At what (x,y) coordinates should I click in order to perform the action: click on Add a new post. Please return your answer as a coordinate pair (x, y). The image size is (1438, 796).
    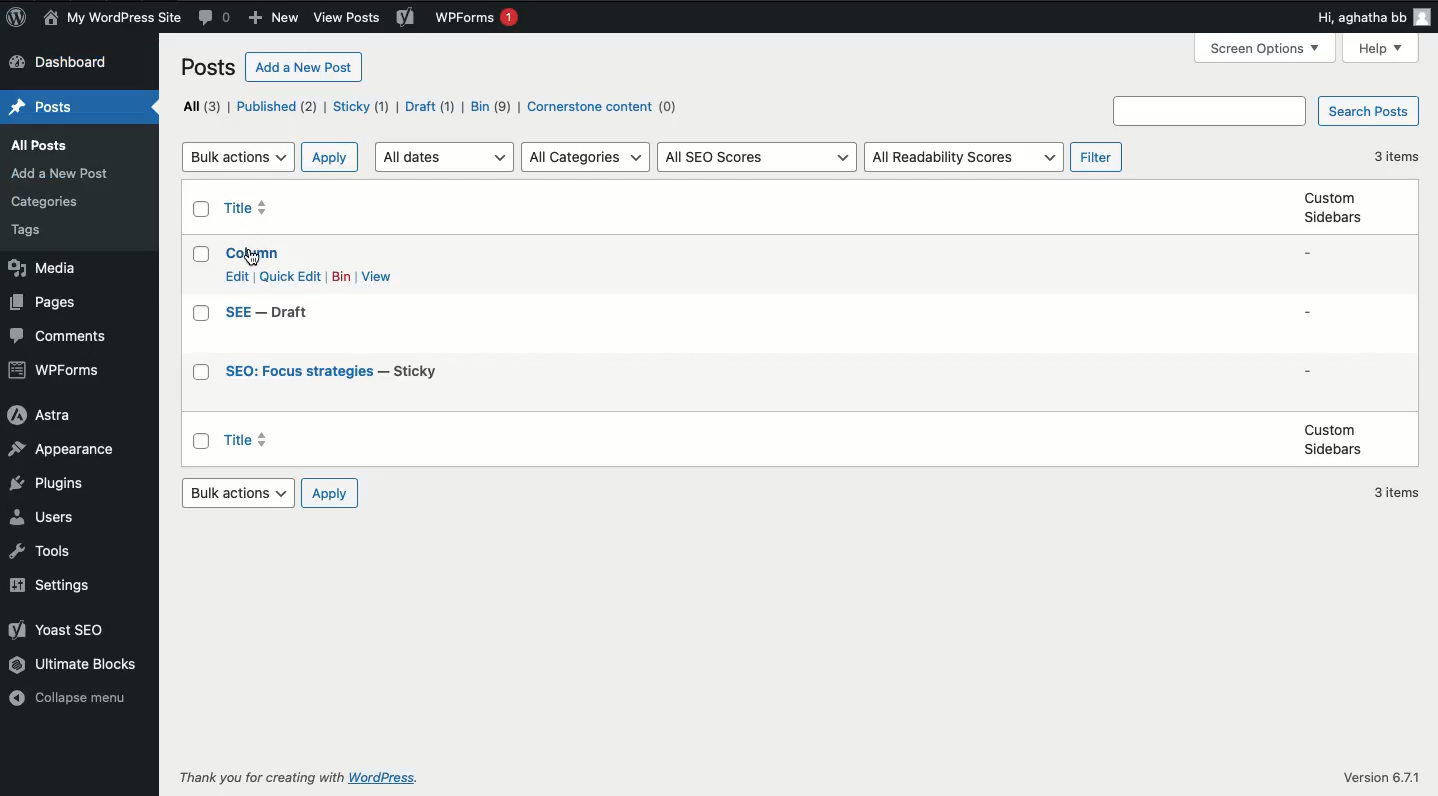
    Looking at the image, I should click on (305, 67).